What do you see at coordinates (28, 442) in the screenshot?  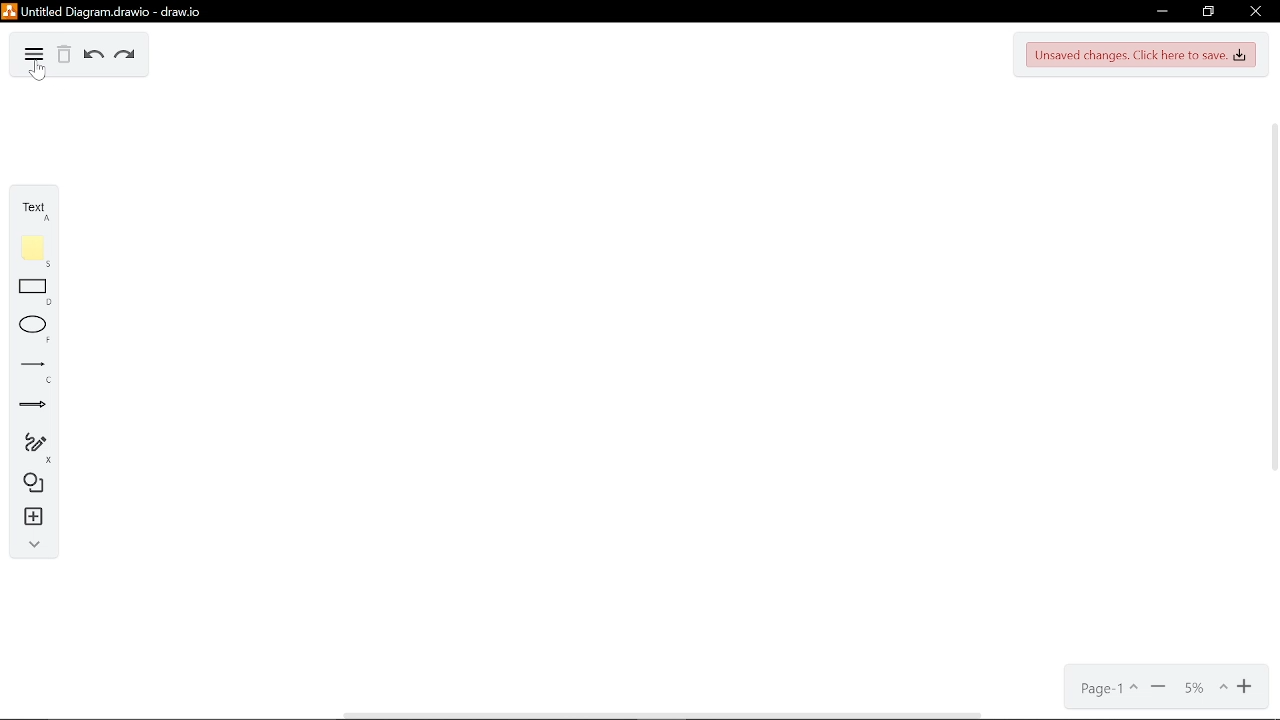 I see `Freehand` at bounding box center [28, 442].